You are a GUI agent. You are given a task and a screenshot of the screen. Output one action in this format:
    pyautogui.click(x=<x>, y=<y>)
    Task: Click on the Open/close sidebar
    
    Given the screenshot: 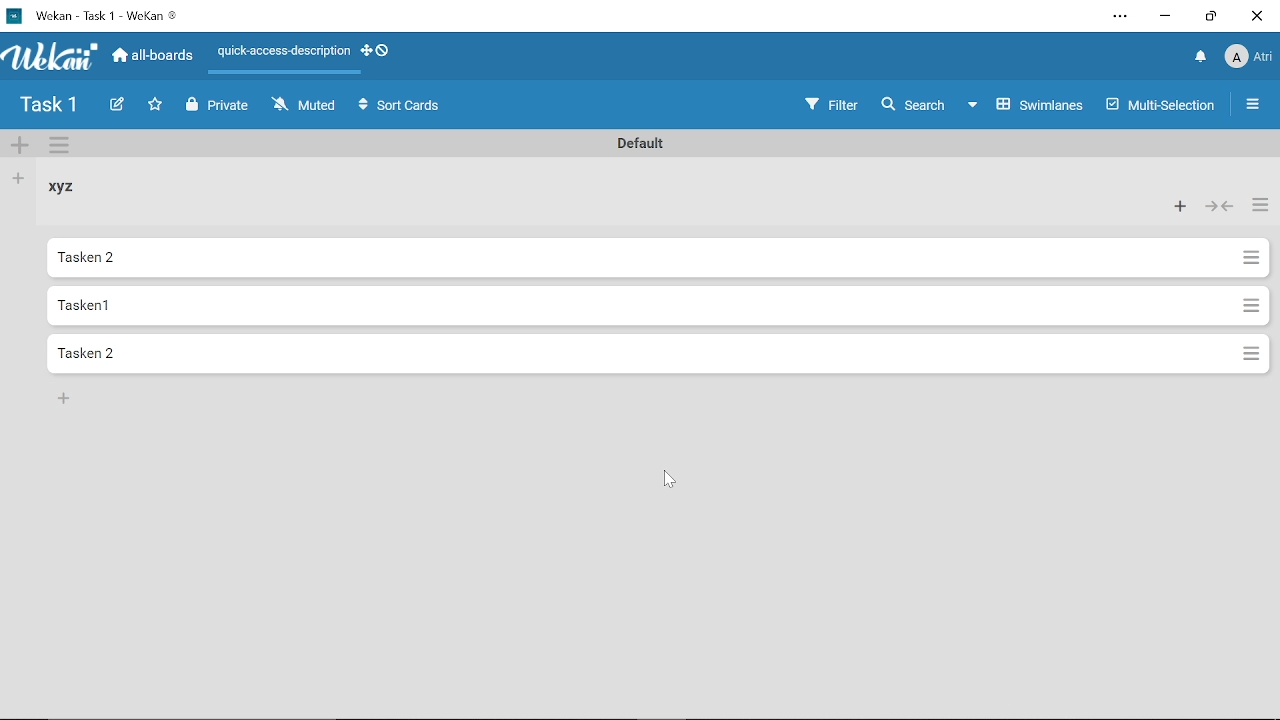 What is the action you would take?
    pyautogui.click(x=1254, y=106)
    